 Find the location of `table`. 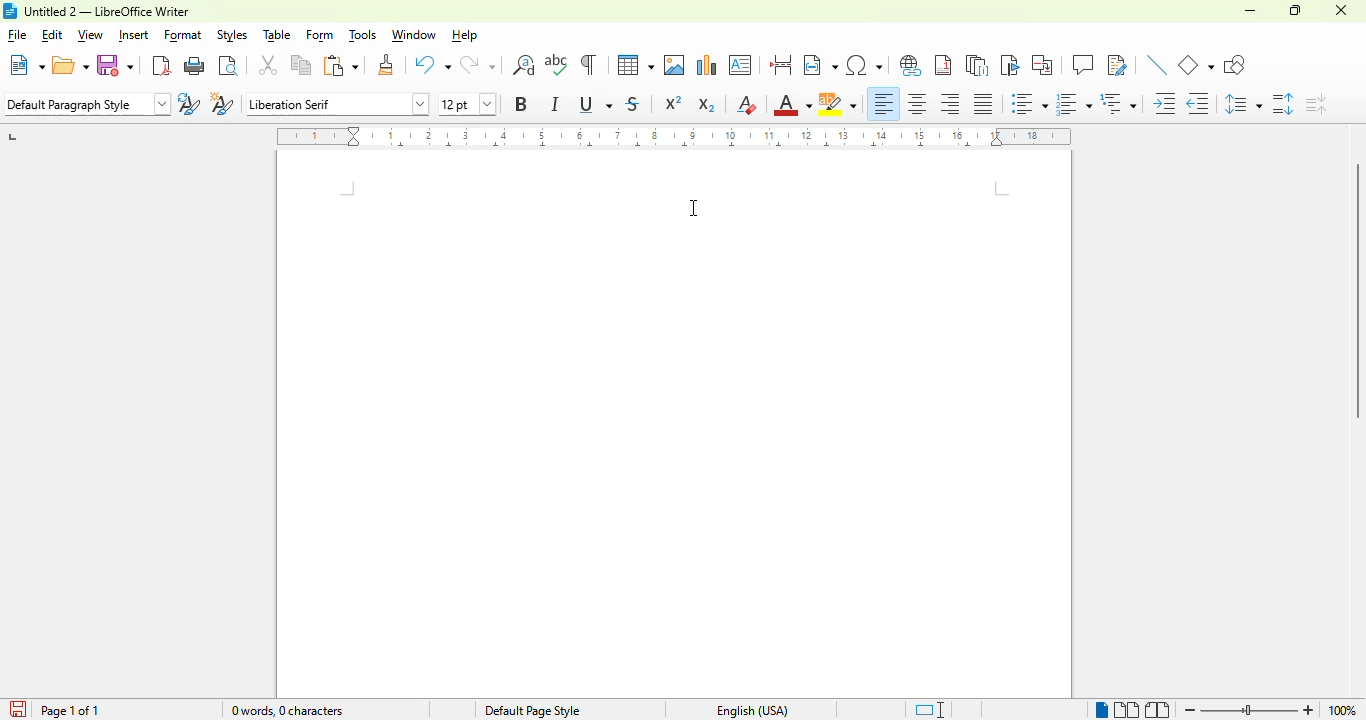

table is located at coordinates (634, 65).